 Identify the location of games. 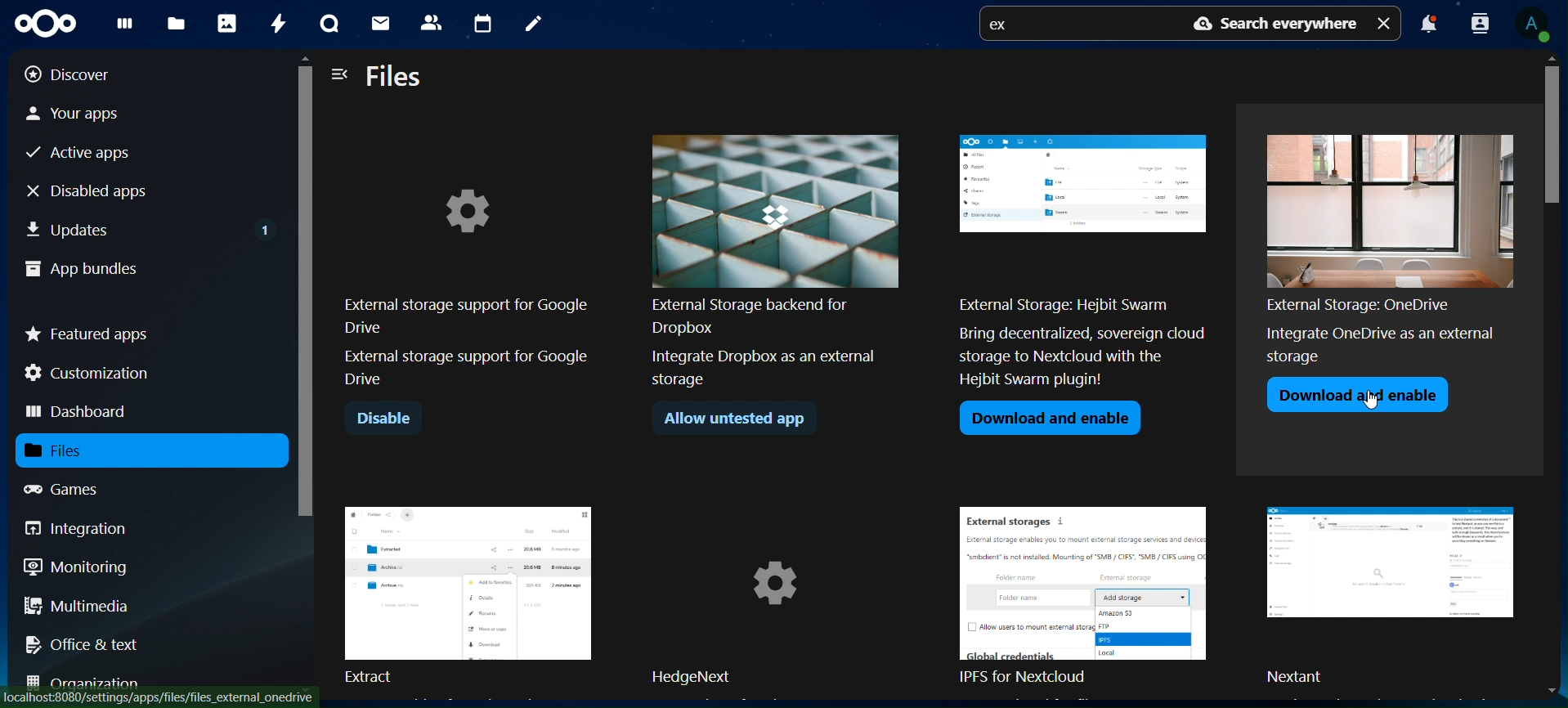
(77, 489).